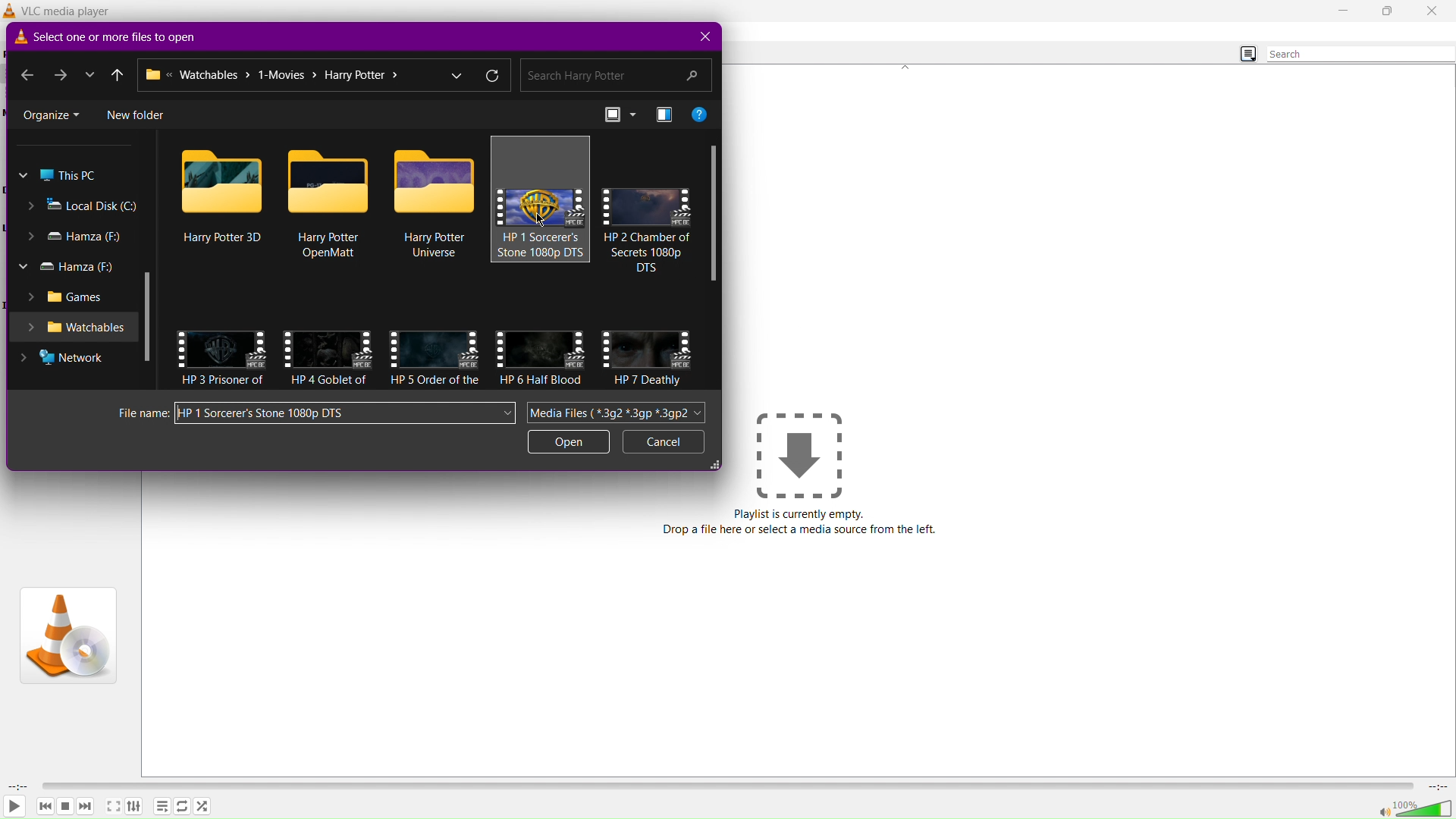  What do you see at coordinates (222, 350) in the screenshot?
I see `video file` at bounding box center [222, 350].